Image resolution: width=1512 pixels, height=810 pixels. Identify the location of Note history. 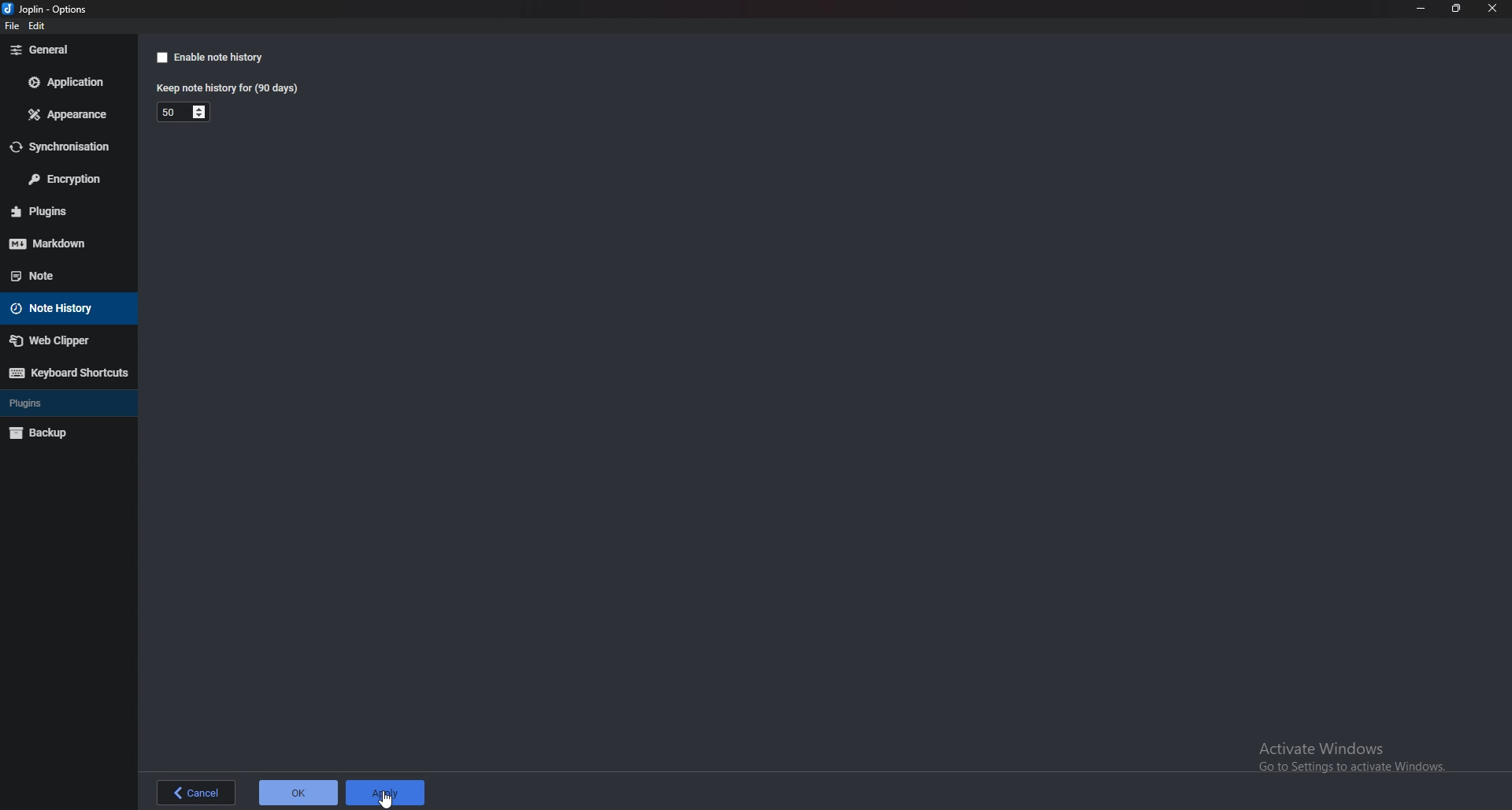
(61, 309).